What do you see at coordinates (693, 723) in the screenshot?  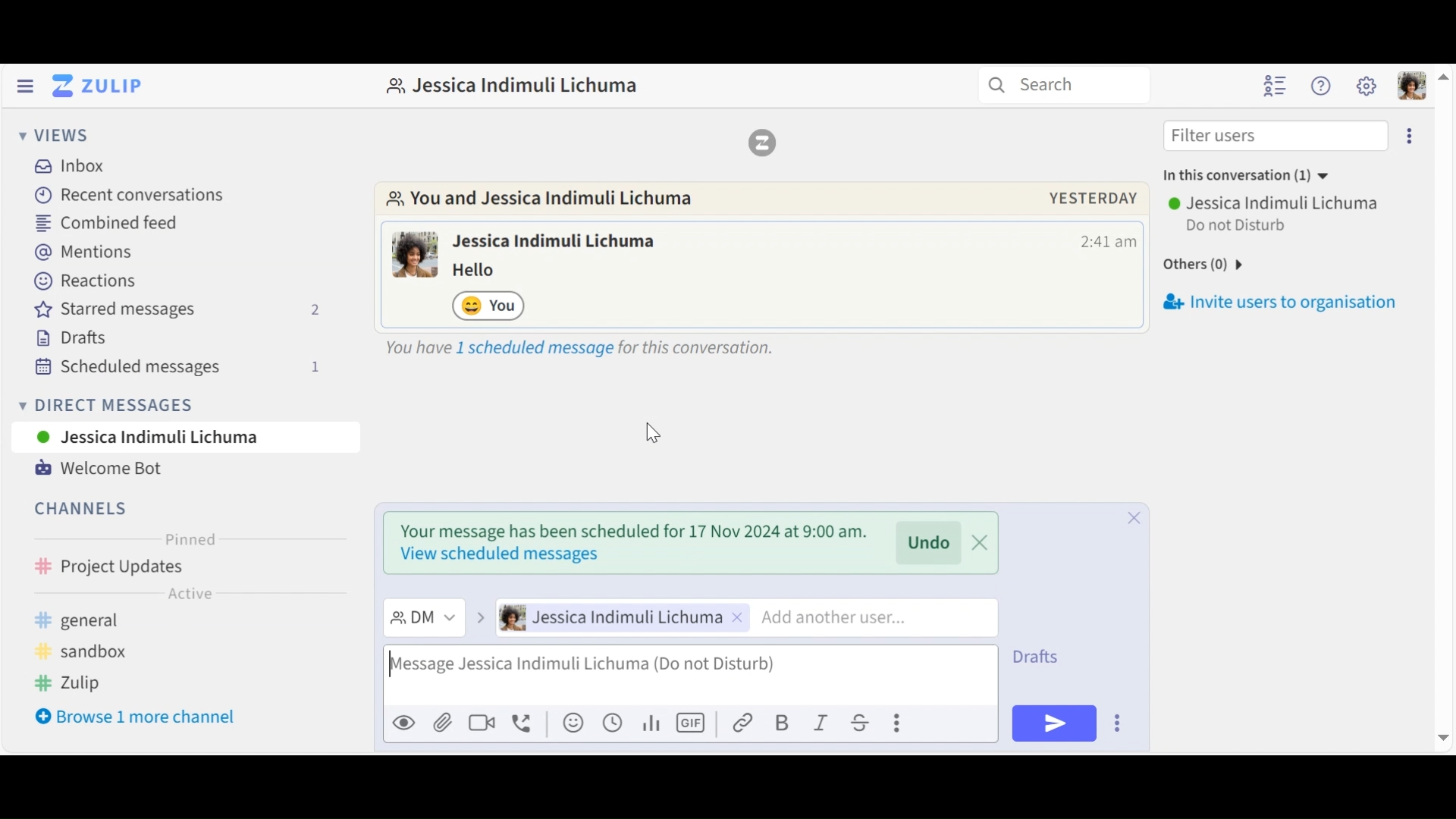 I see `Add GIF` at bounding box center [693, 723].